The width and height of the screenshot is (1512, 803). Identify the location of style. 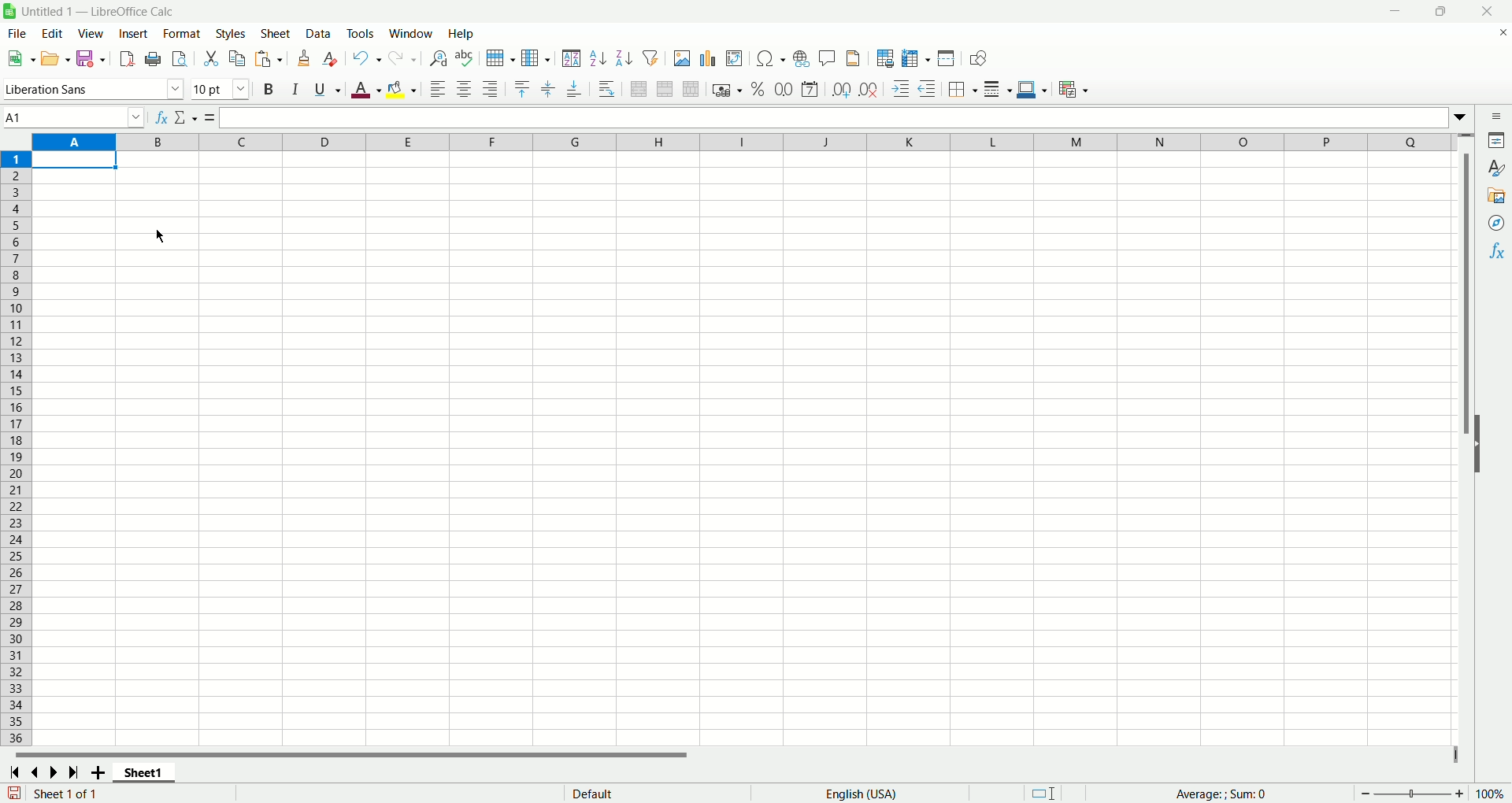
(1492, 167).